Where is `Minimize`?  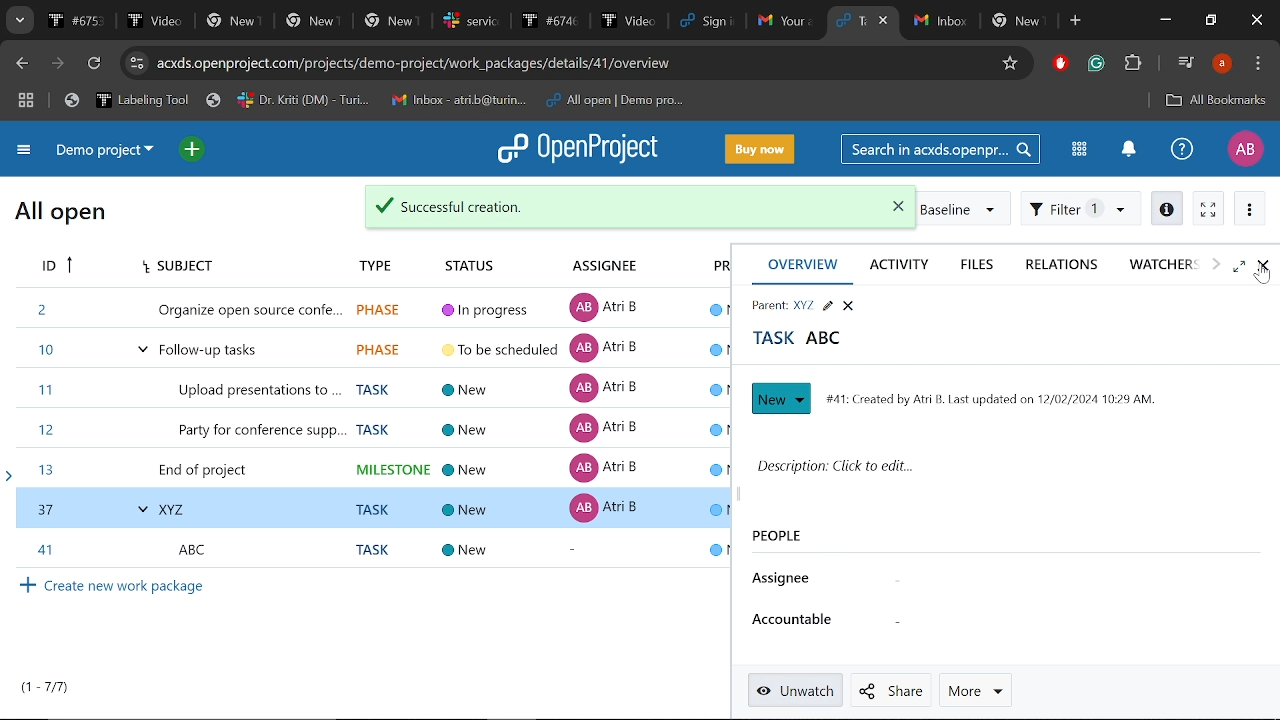 Minimize is located at coordinates (1168, 20).